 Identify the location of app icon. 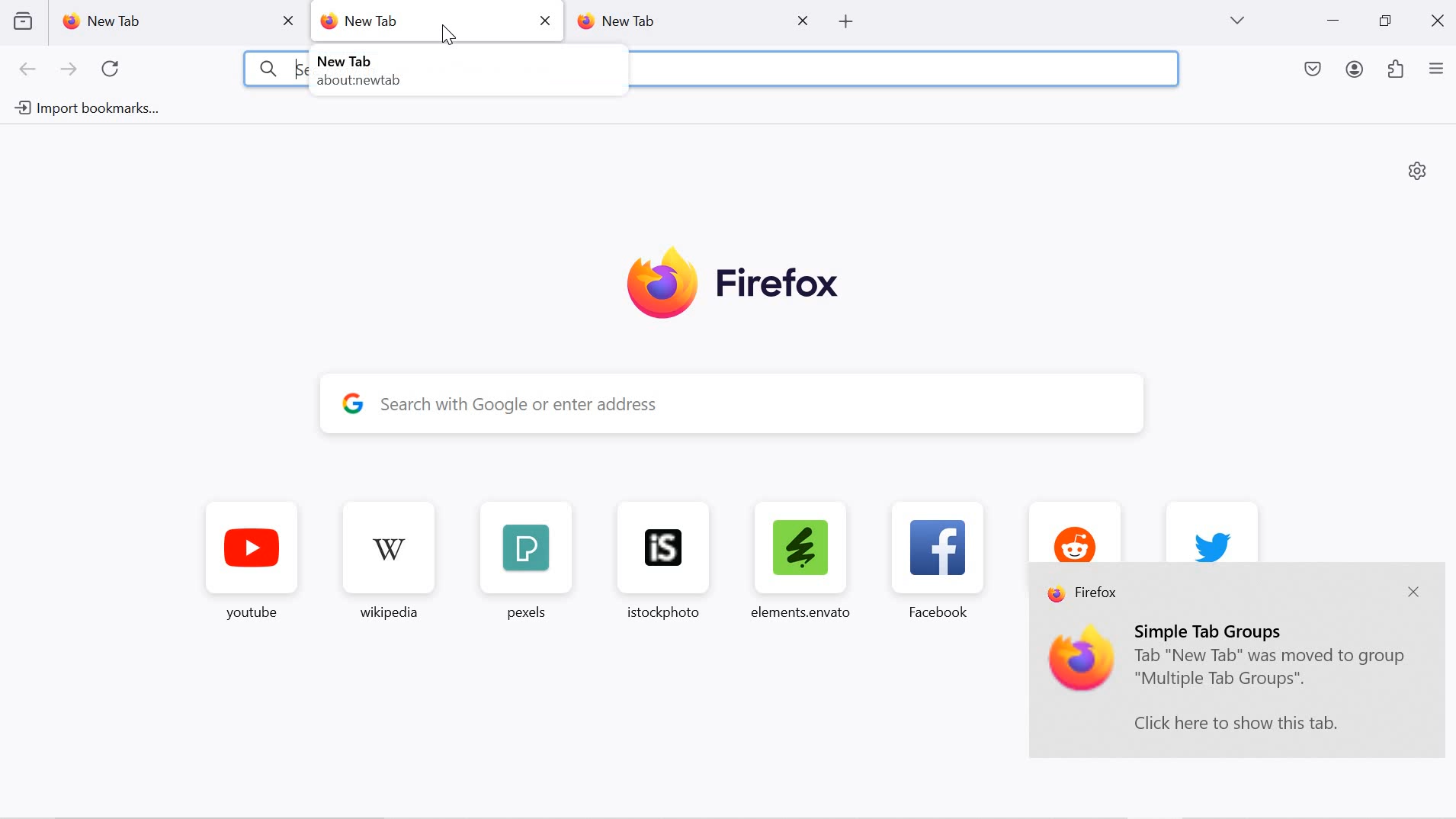
(1082, 660).